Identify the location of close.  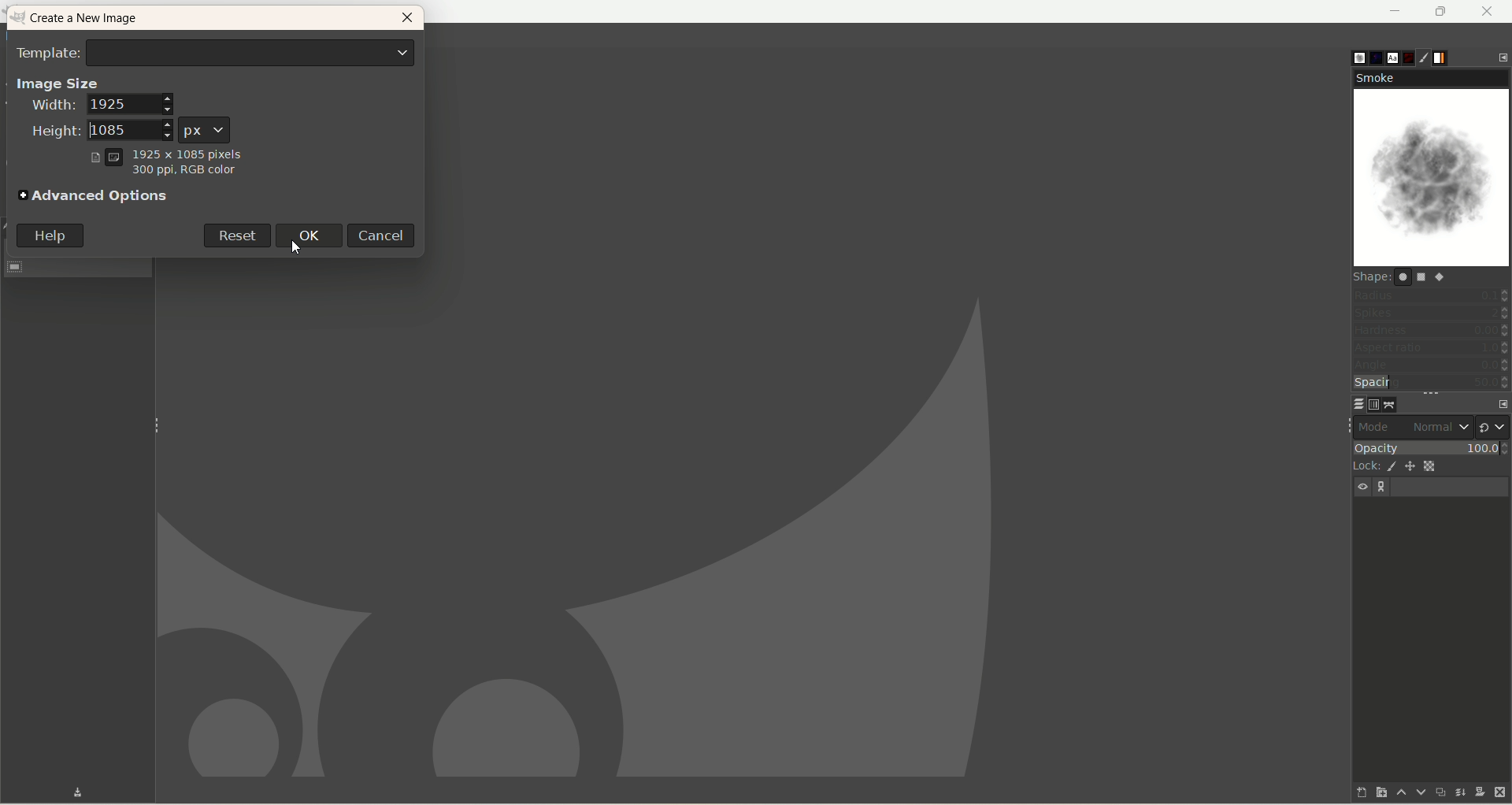
(407, 20).